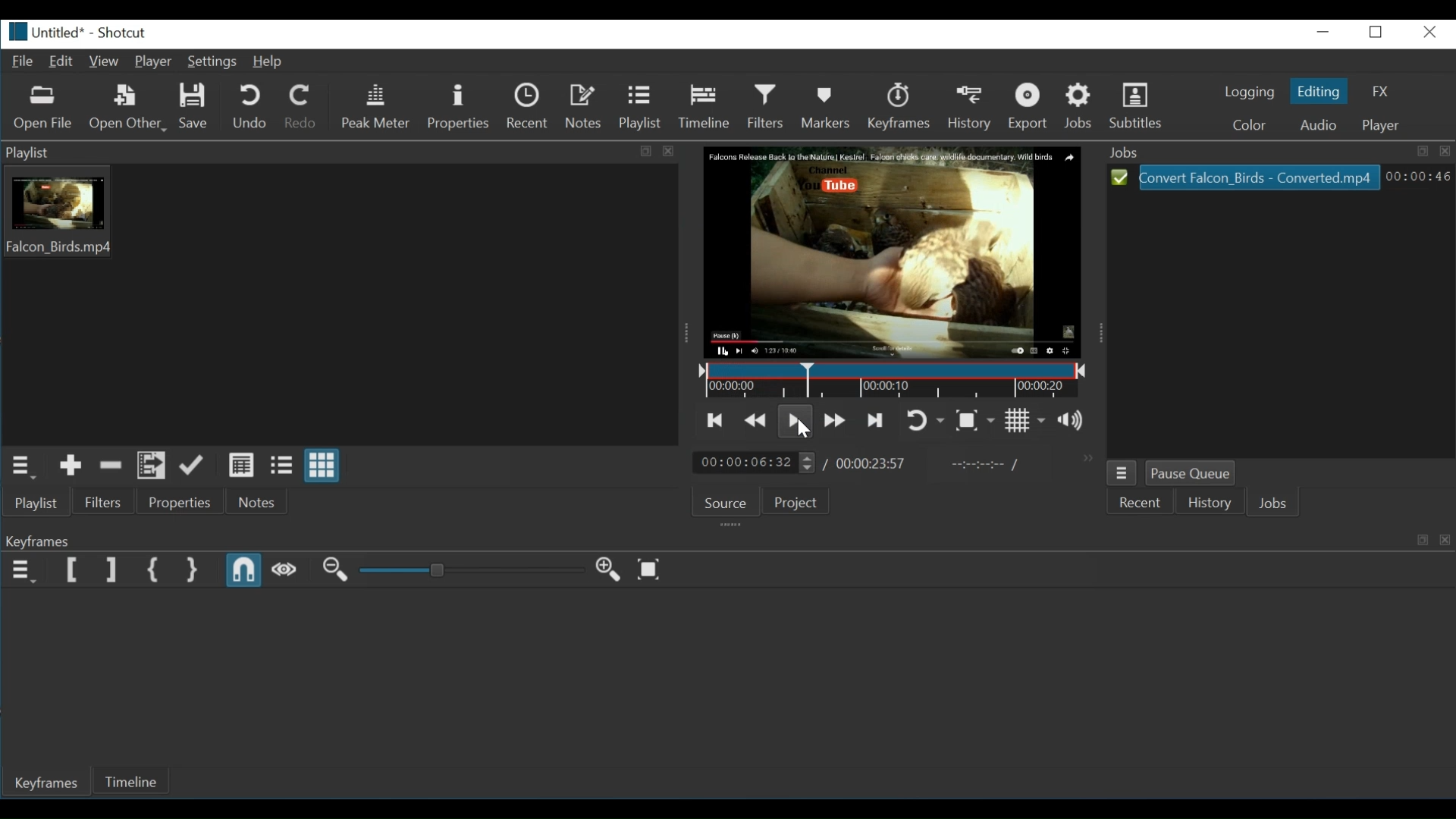  Describe the element at coordinates (374, 106) in the screenshot. I see `Peak meter` at that location.